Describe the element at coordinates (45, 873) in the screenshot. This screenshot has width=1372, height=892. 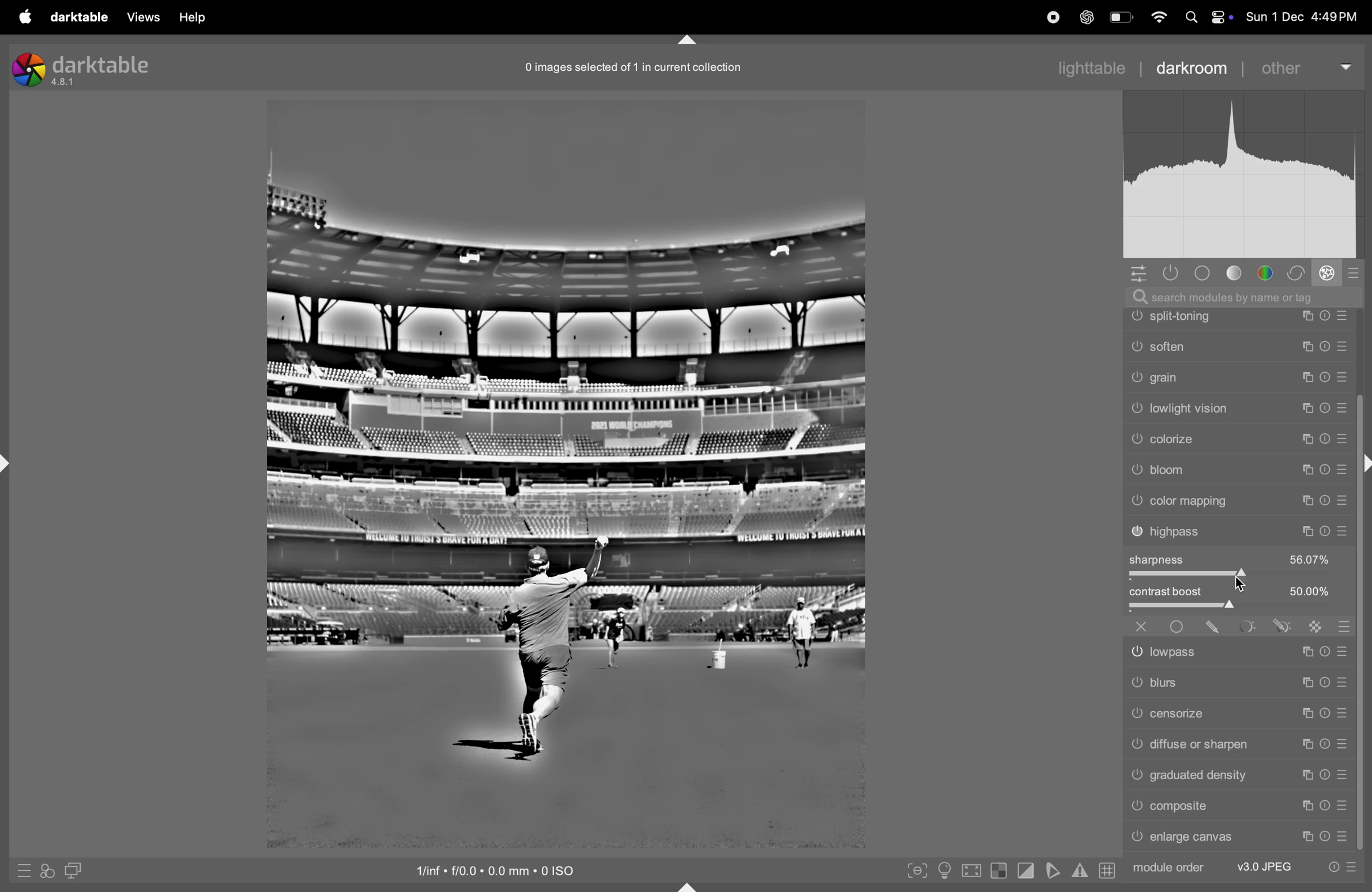
I see `quick acess applying styles` at that location.